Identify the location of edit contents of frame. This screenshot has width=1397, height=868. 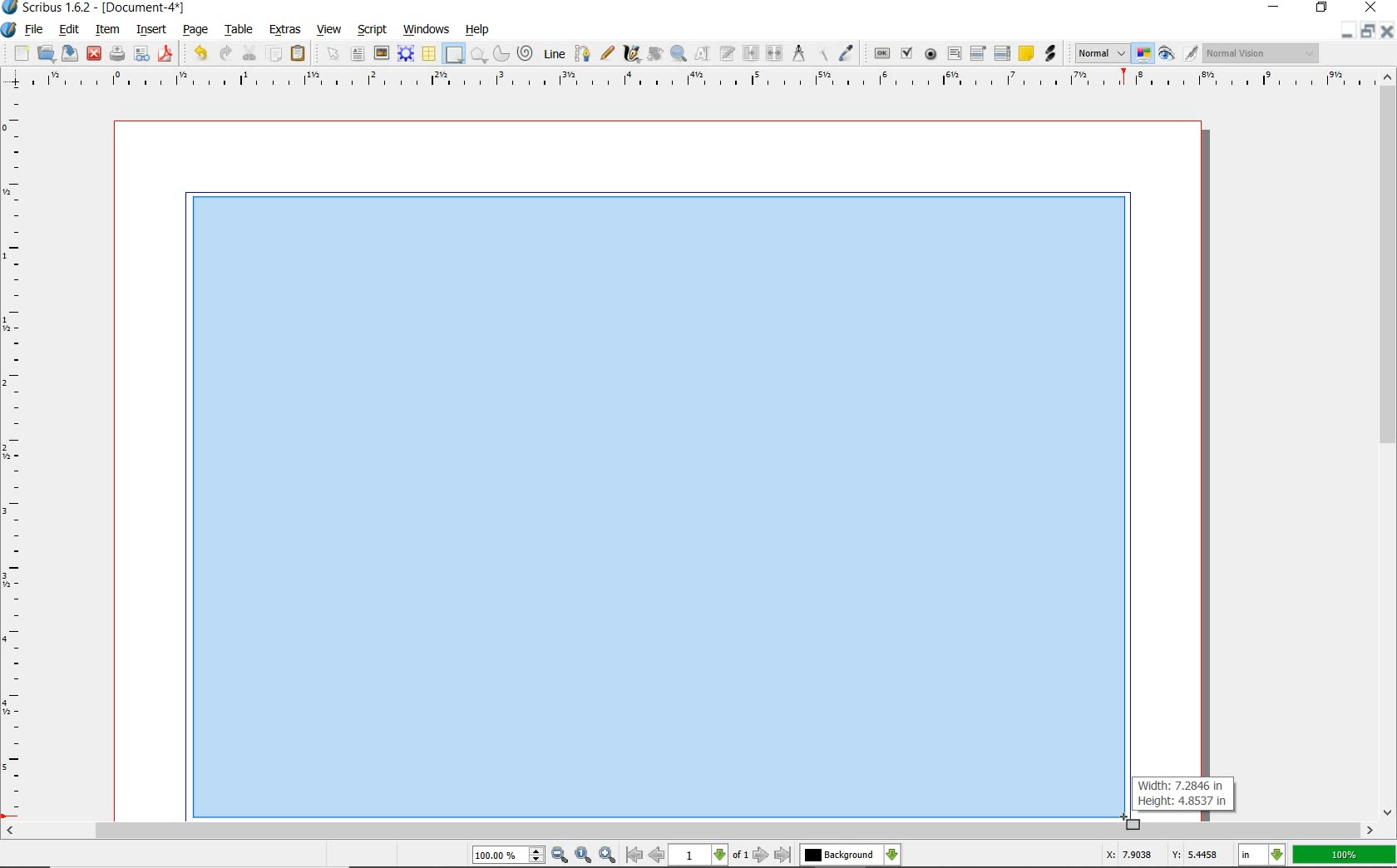
(701, 53).